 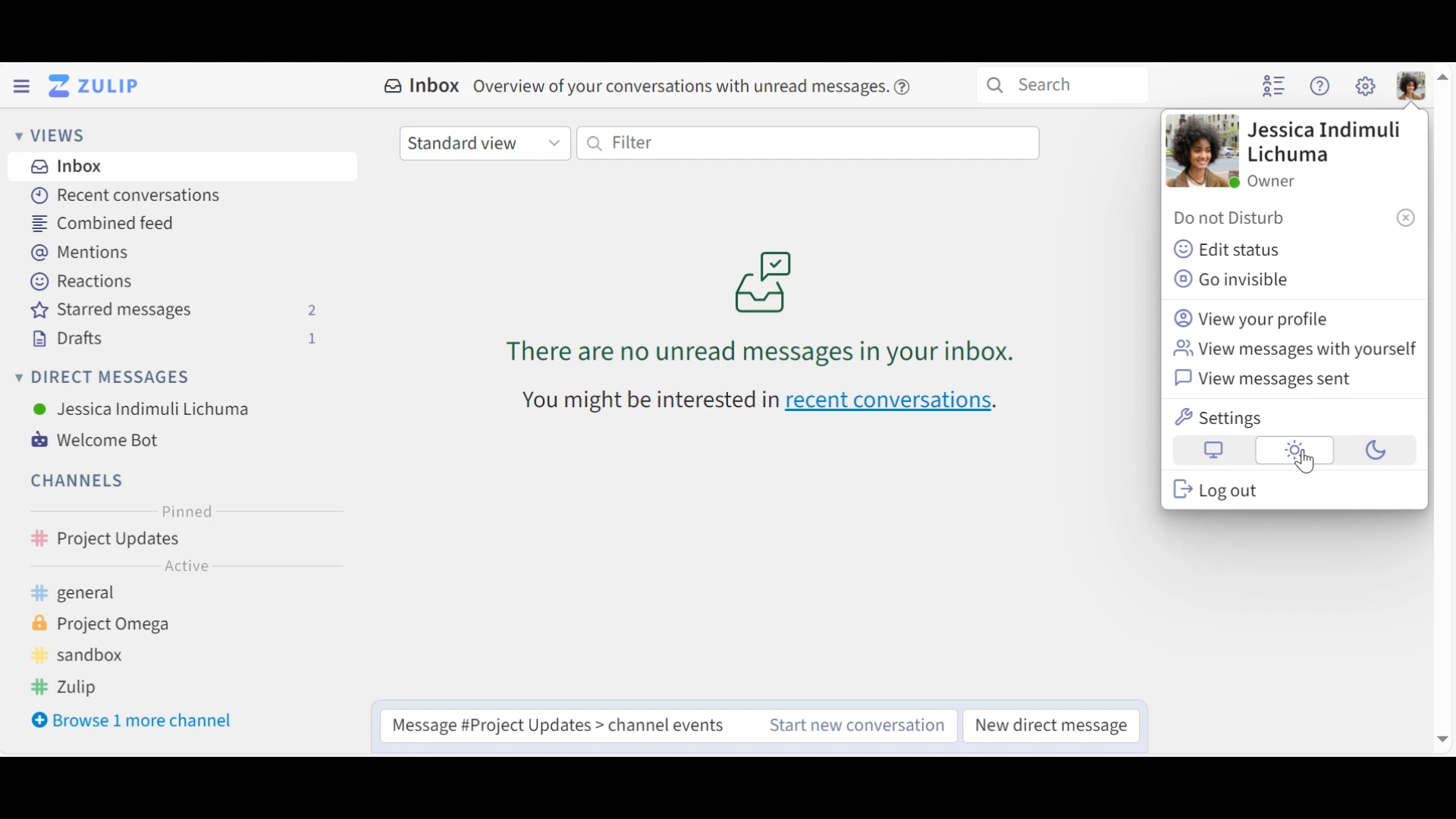 I want to click on Welcome Bot, so click(x=102, y=441).